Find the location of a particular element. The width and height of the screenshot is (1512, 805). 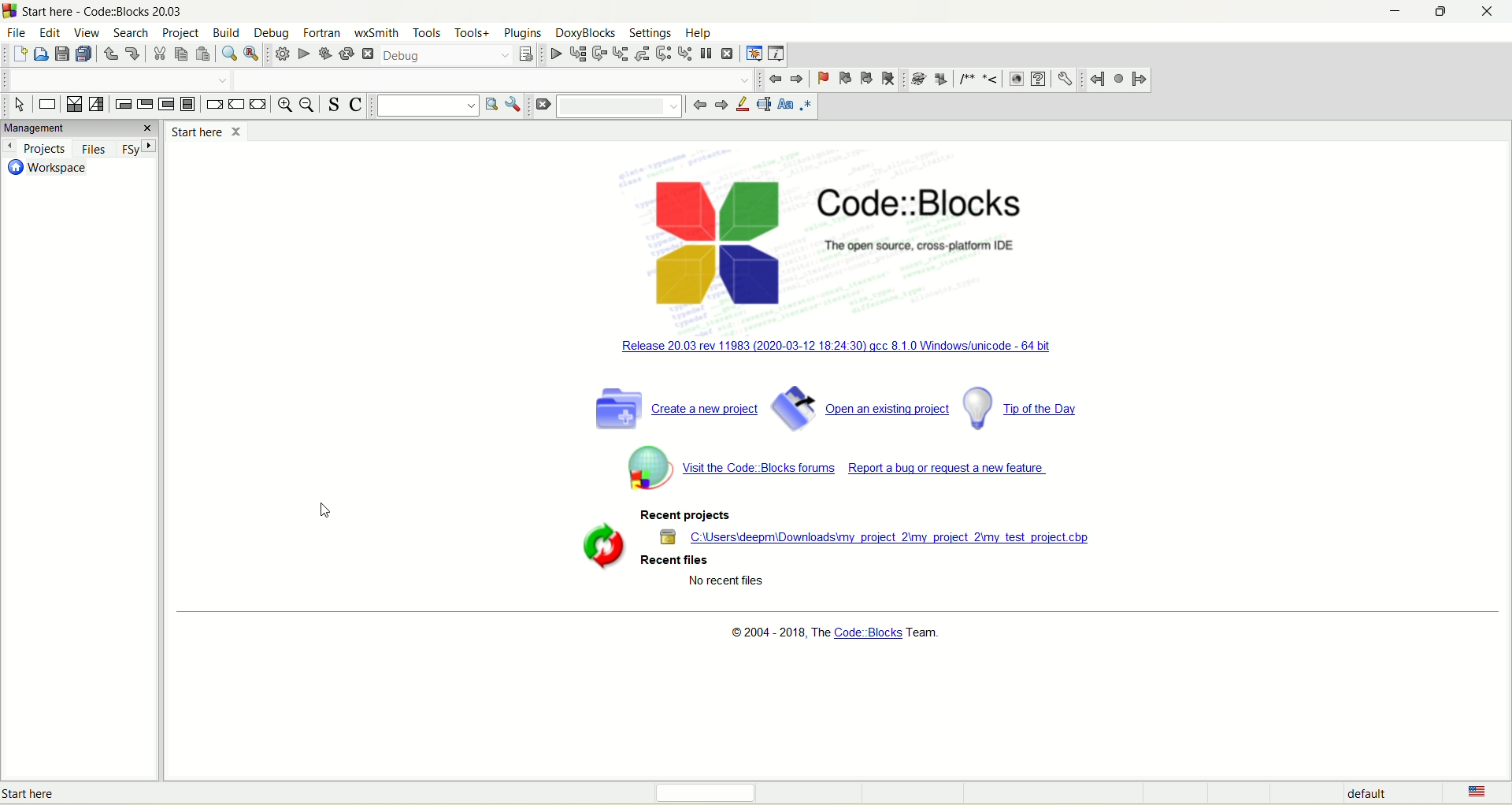

text is located at coordinates (66, 794).